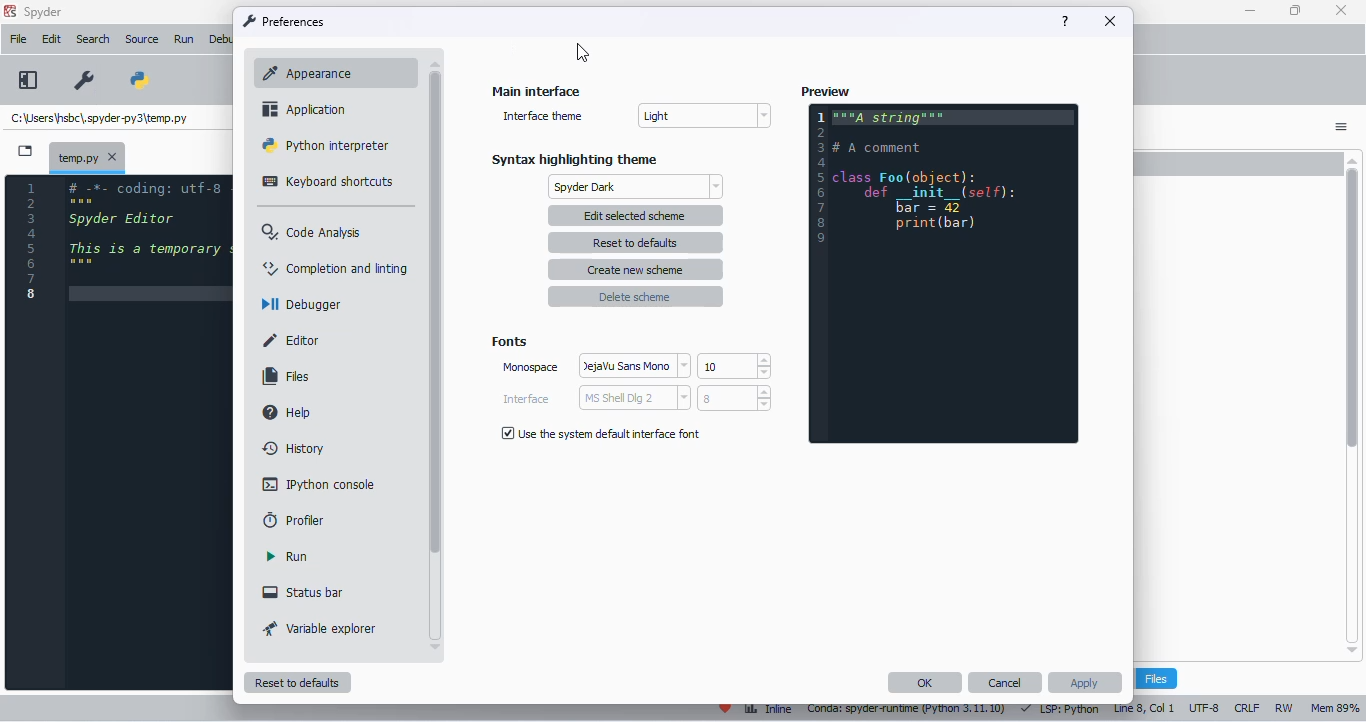 This screenshot has height=722, width=1366. What do you see at coordinates (75, 157) in the screenshot?
I see `temporary file` at bounding box center [75, 157].